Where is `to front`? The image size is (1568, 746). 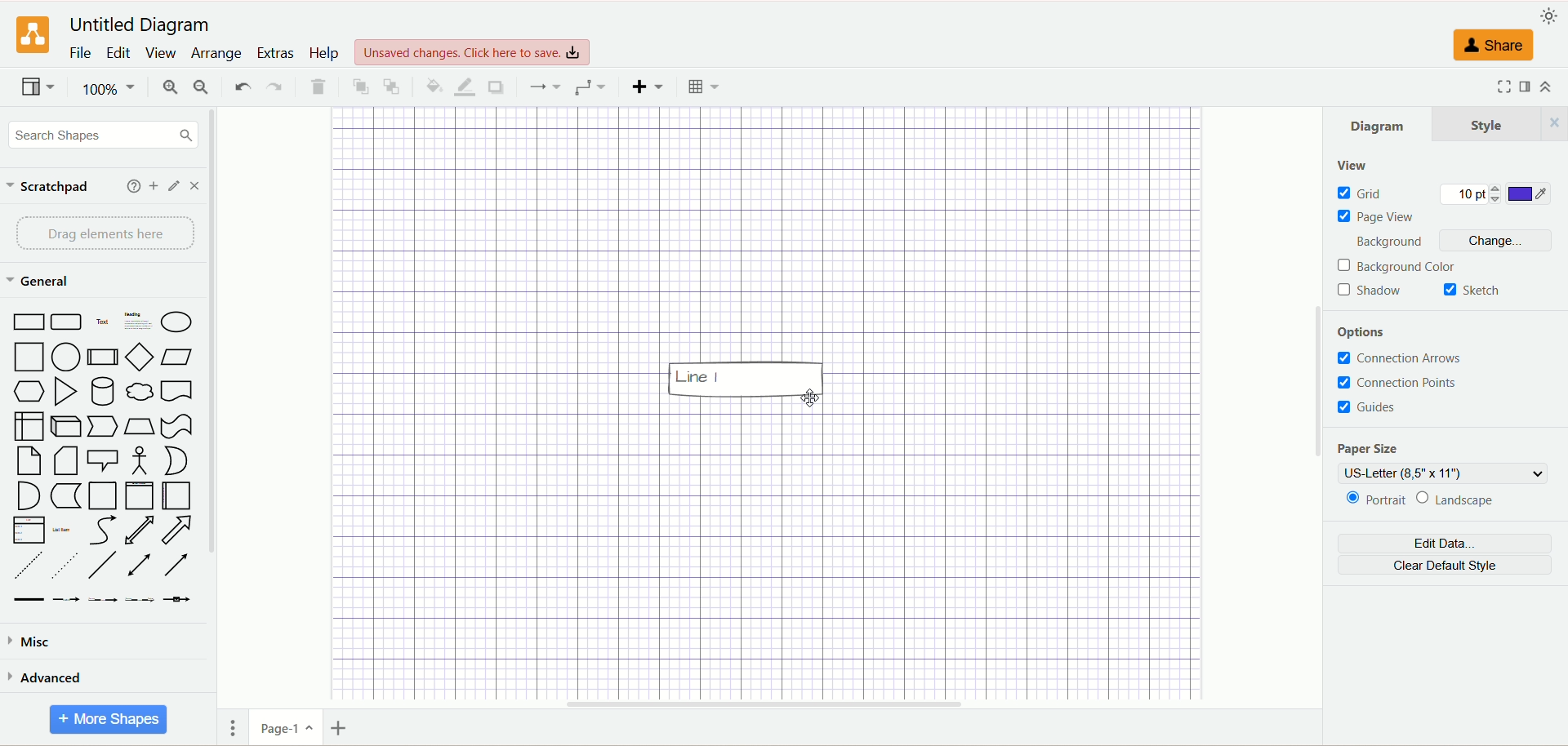 to front is located at coordinates (359, 86).